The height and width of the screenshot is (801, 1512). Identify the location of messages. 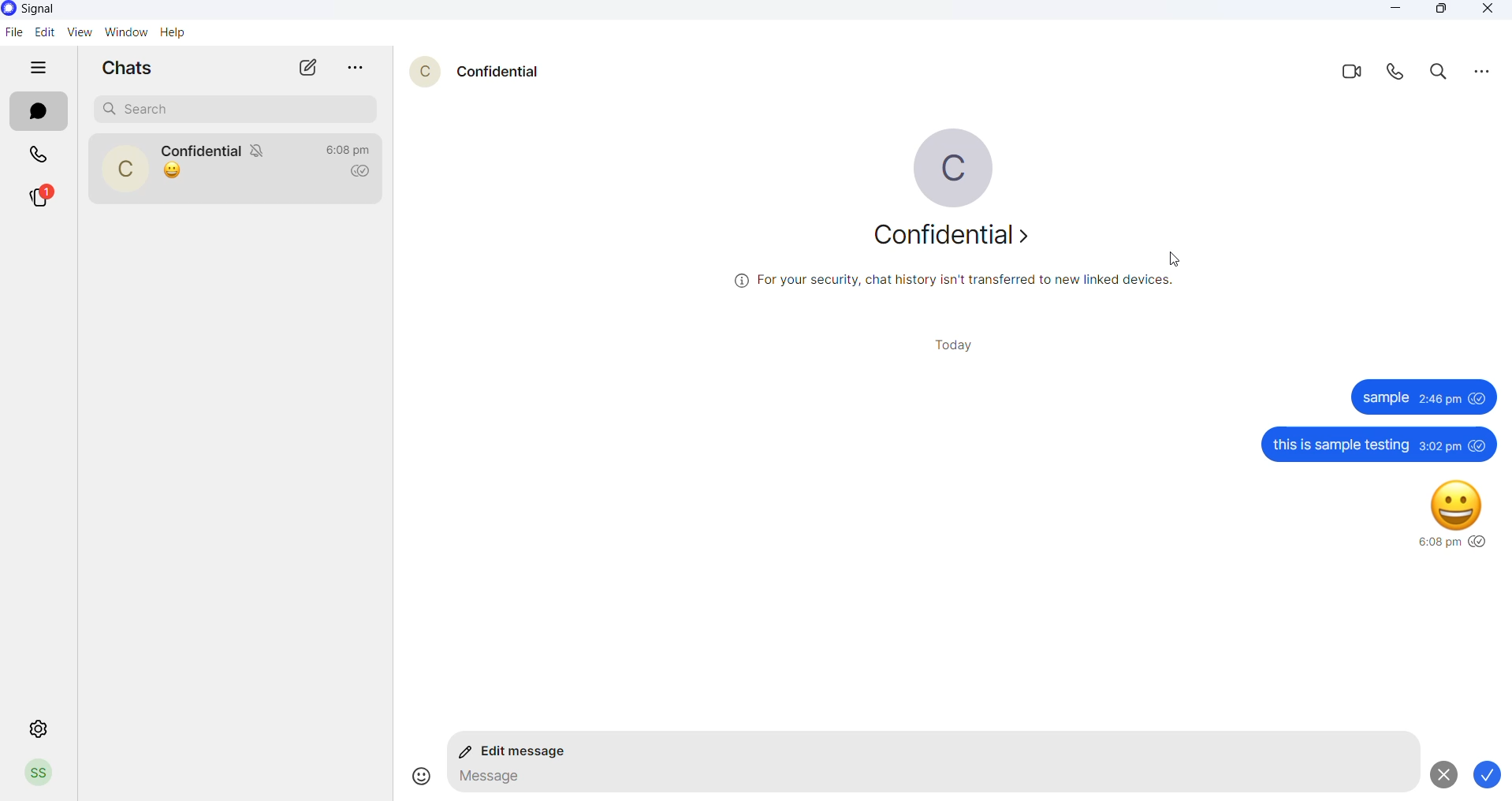
(40, 114).